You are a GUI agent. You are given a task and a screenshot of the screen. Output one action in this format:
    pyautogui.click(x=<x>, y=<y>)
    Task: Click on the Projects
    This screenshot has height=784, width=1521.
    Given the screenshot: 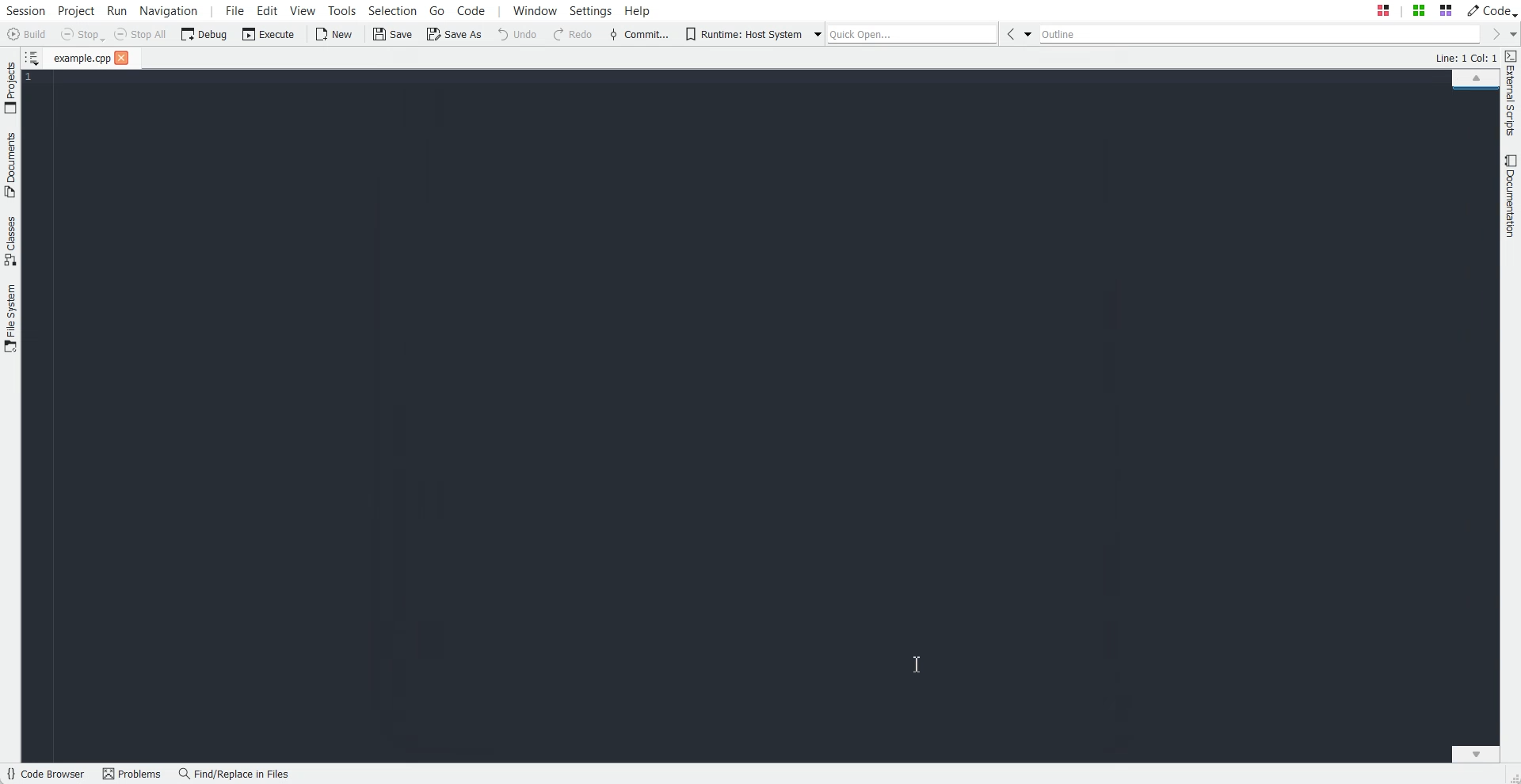 What is the action you would take?
    pyautogui.click(x=10, y=87)
    